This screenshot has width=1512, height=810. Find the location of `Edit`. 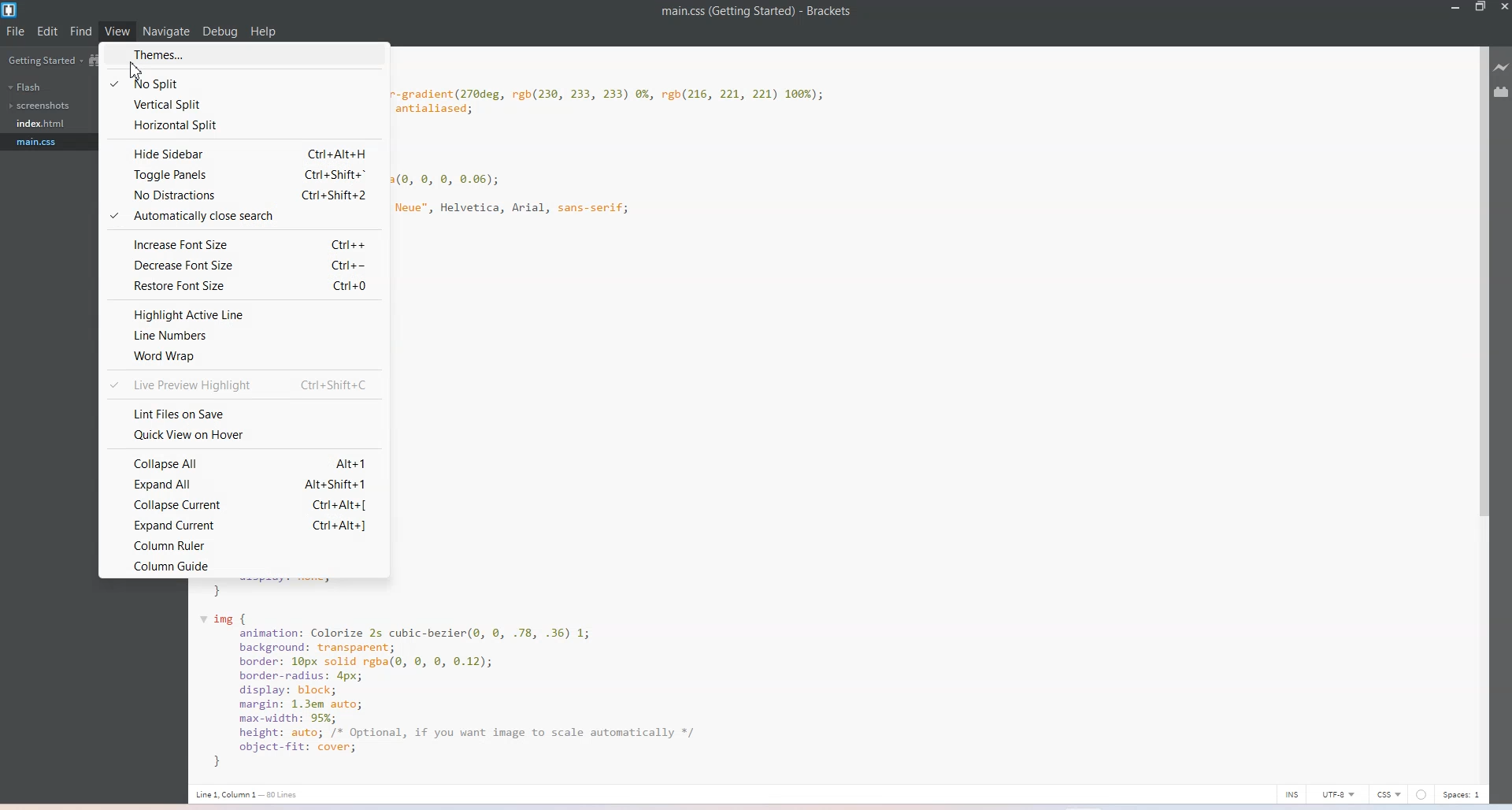

Edit is located at coordinates (47, 31).